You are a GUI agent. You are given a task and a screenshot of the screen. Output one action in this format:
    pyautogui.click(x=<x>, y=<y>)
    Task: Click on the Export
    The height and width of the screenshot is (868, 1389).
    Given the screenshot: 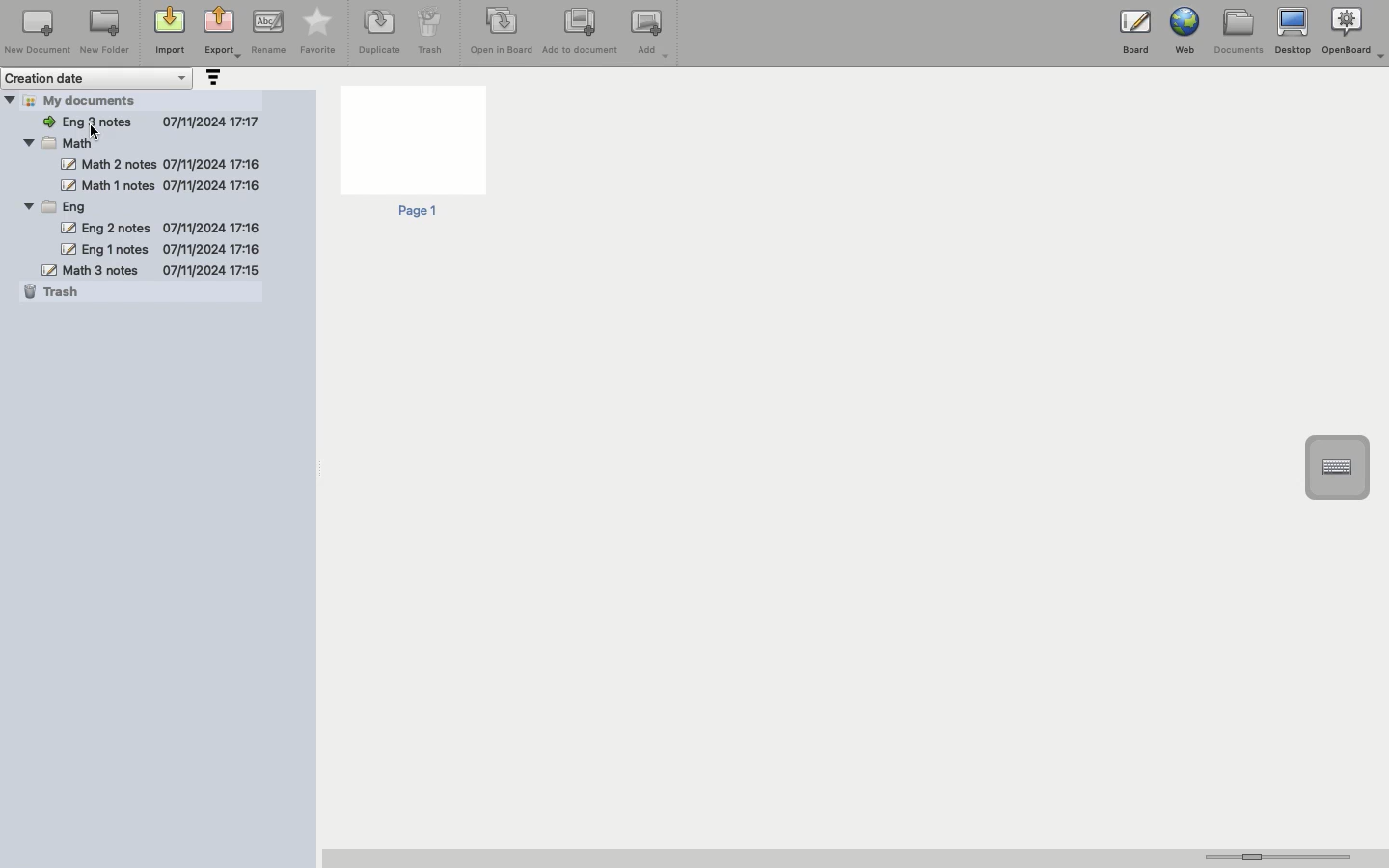 What is the action you would take?
    pyautogui.click(x=222, y=34)
    